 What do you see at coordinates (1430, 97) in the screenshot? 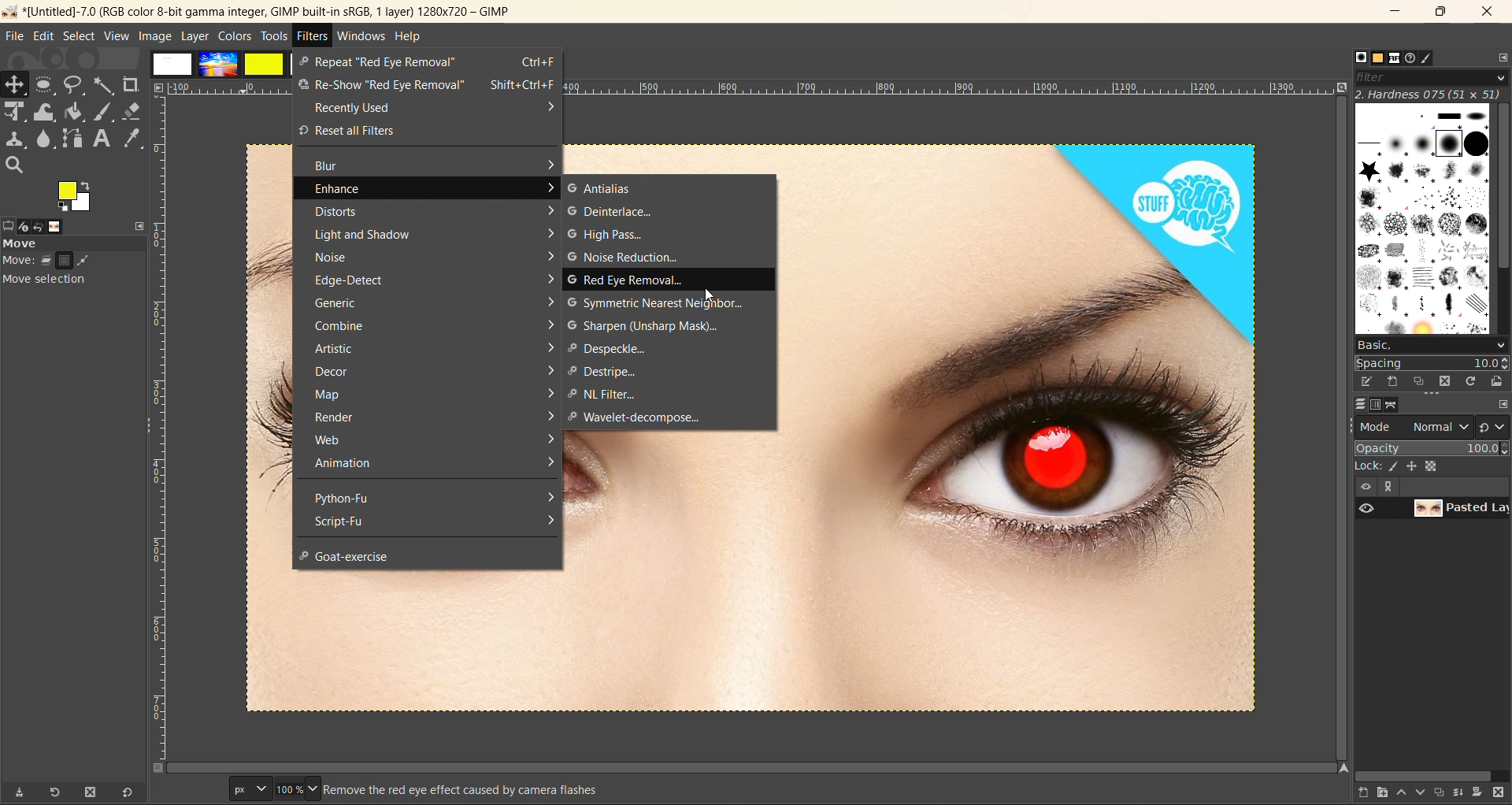
I see `hardness` at bounding box center [1430, 97].